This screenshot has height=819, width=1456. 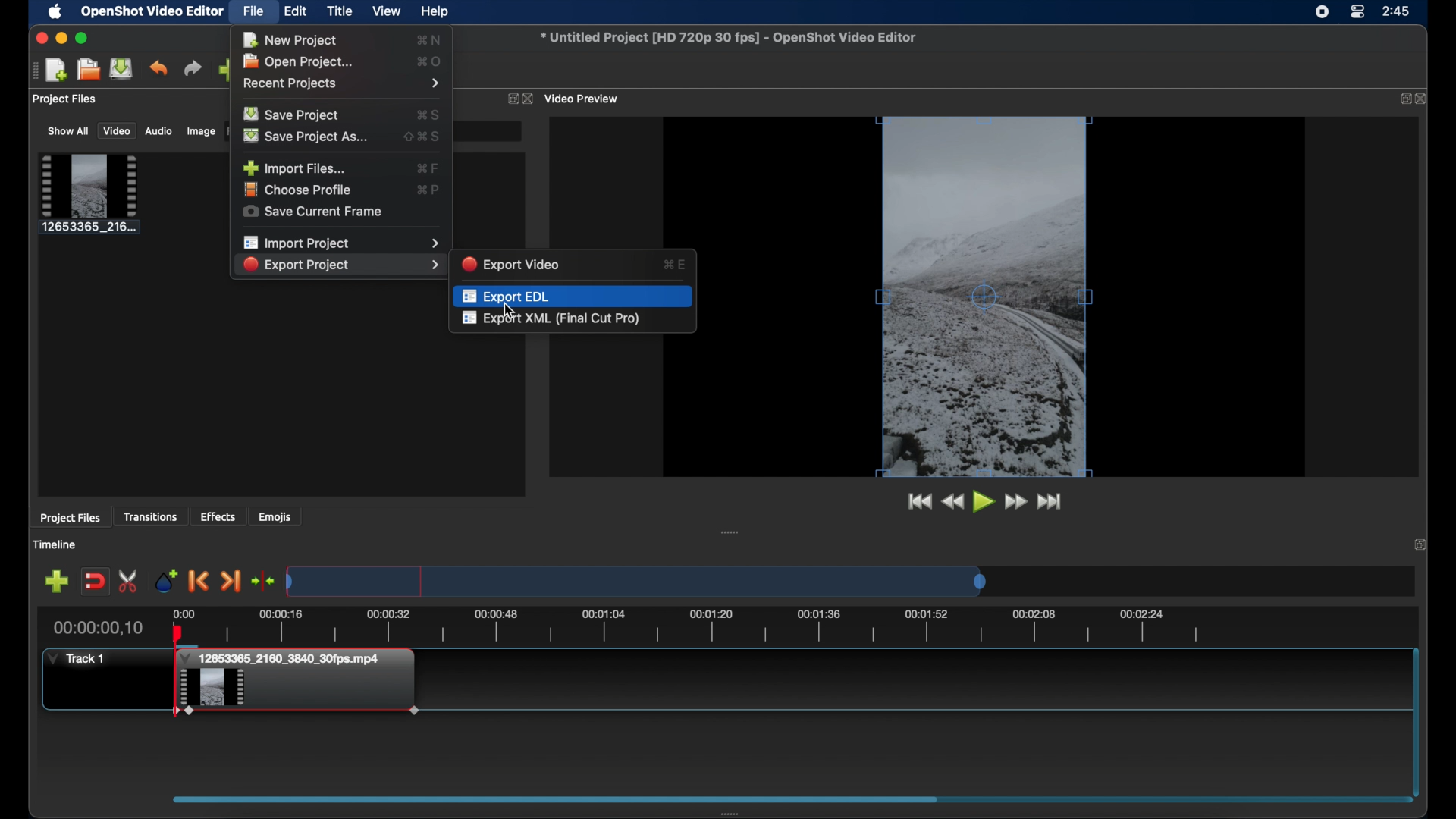 What do you see at coordinates (780, 802) in the screenshot?
I see `scroll box` at bounding box center [780, 802].